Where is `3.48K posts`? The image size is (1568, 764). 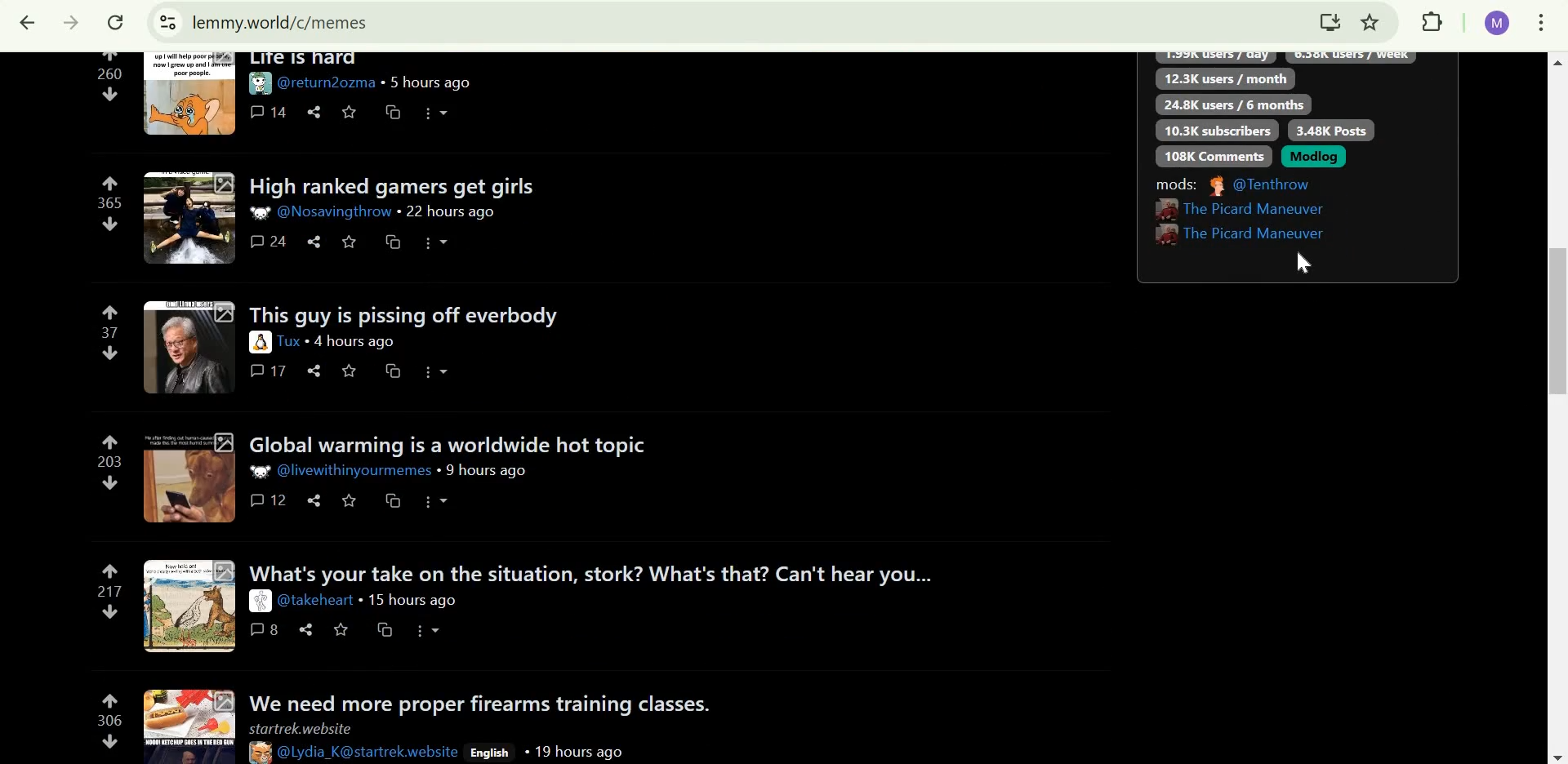 3.48K posts is located at coordinates (1330, 129).